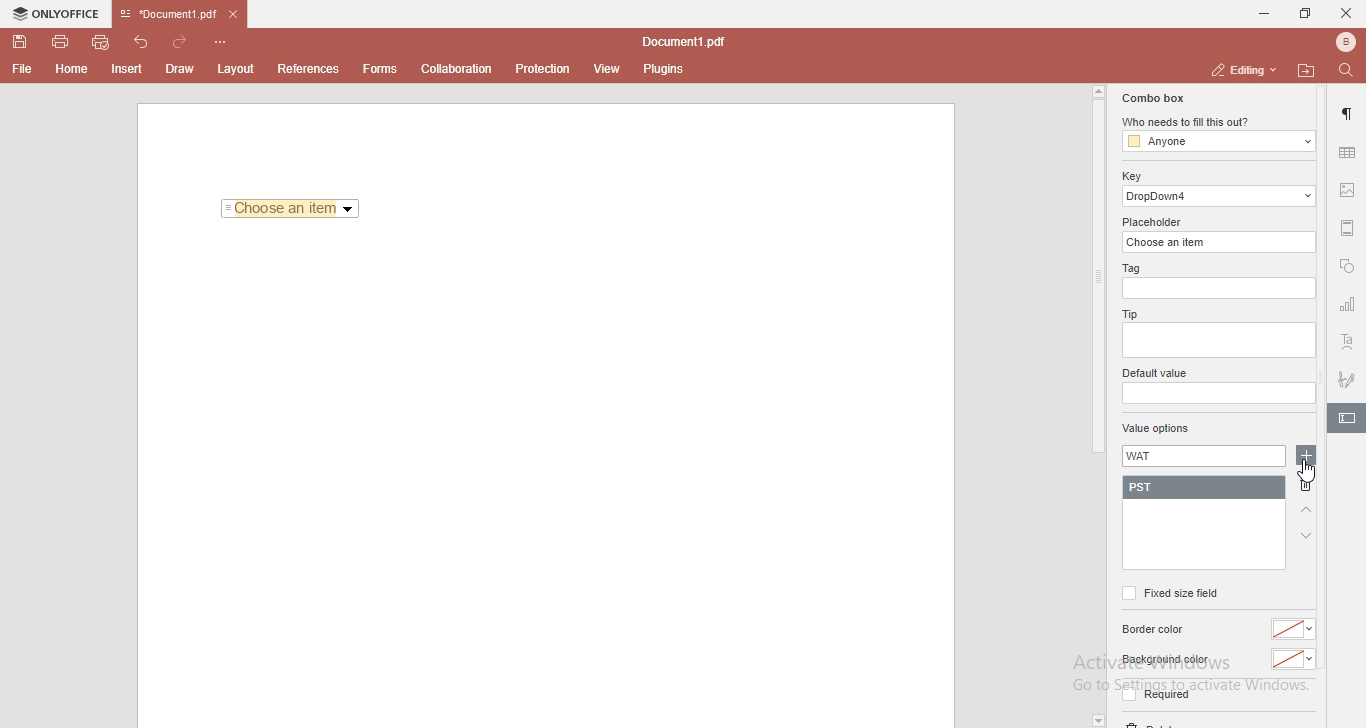 The width and height of the screenshot is (1366, 728). What do you see at coordinates (1151, 98) in the screenshot?
I see `combo box` at bounding box center [1151, 98].